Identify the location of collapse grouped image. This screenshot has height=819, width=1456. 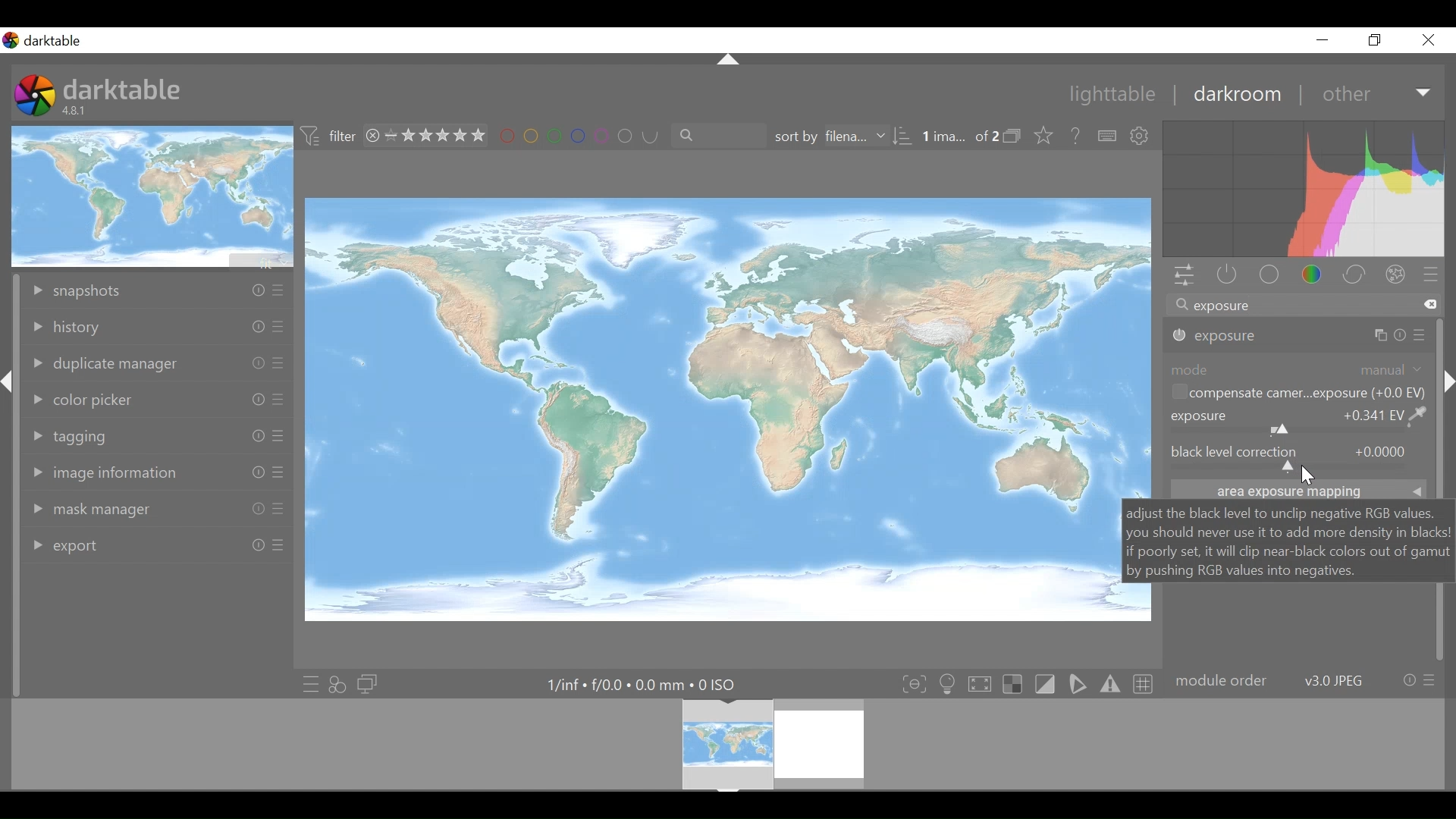
(1014, 136).